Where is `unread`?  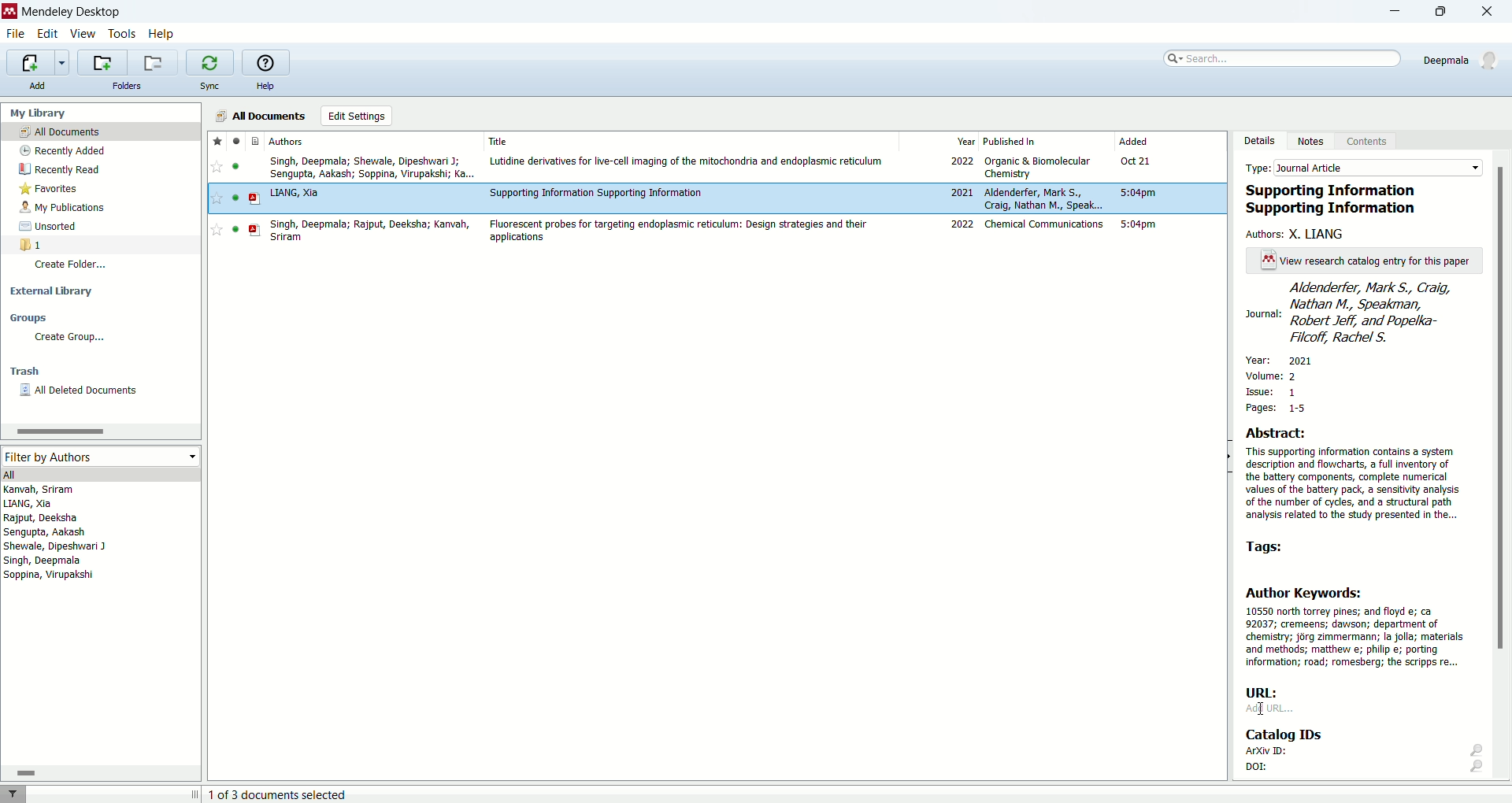
unread is located at coordinates (235, 166).